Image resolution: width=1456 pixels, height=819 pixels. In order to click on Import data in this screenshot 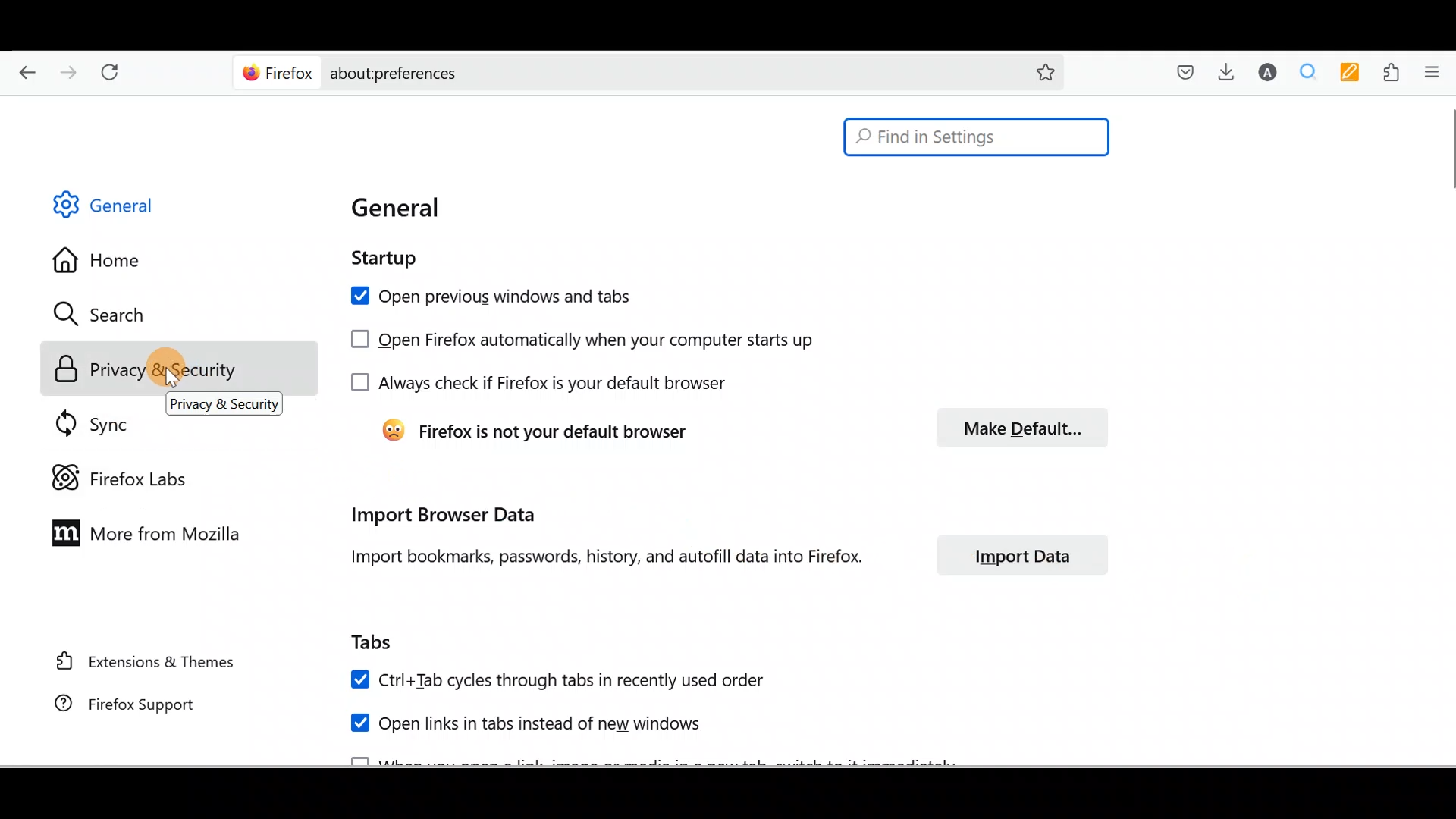, I will do `click(1020, 554)`.